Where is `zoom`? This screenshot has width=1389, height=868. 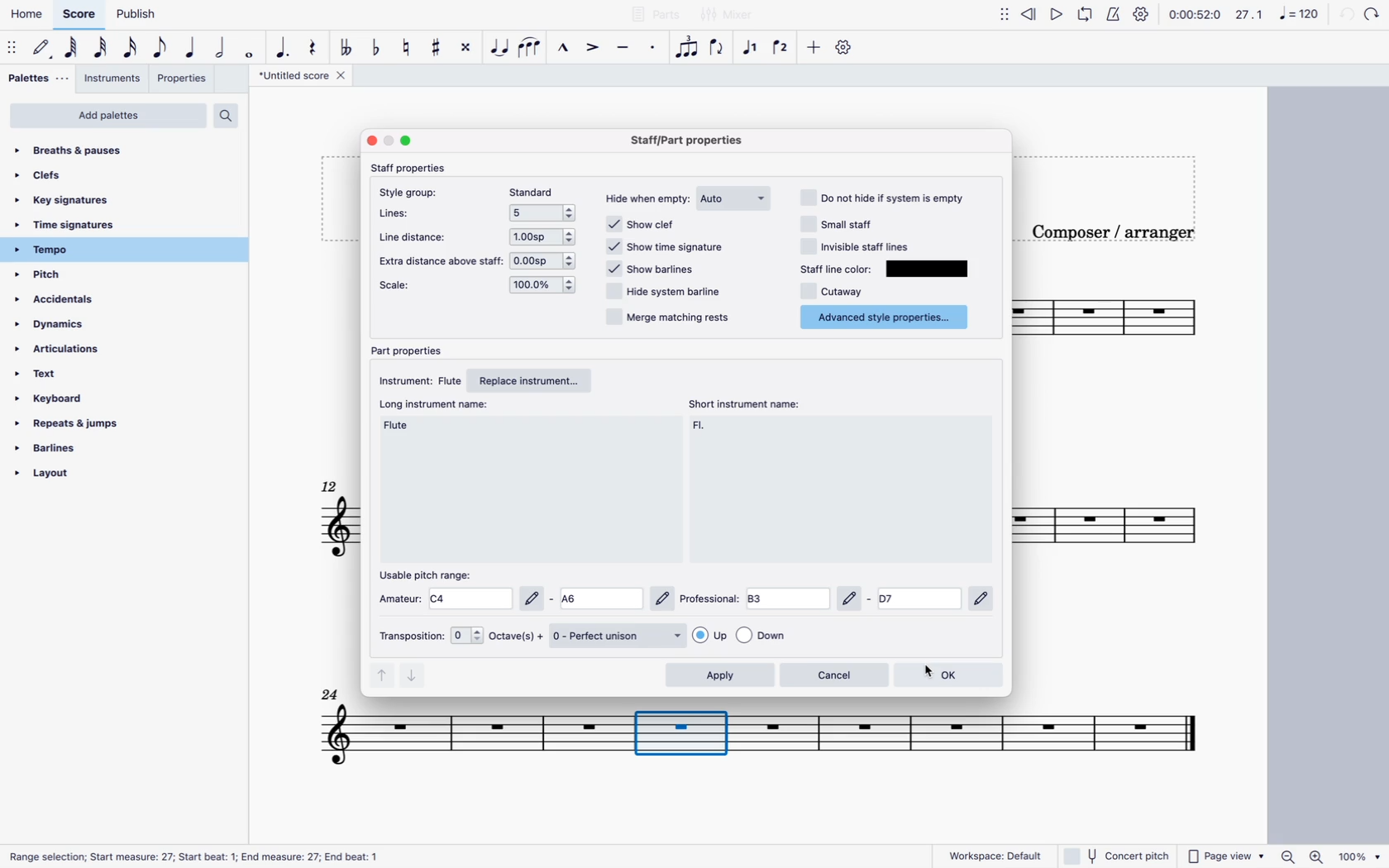
zoom is located at coordinates (1329, 855).